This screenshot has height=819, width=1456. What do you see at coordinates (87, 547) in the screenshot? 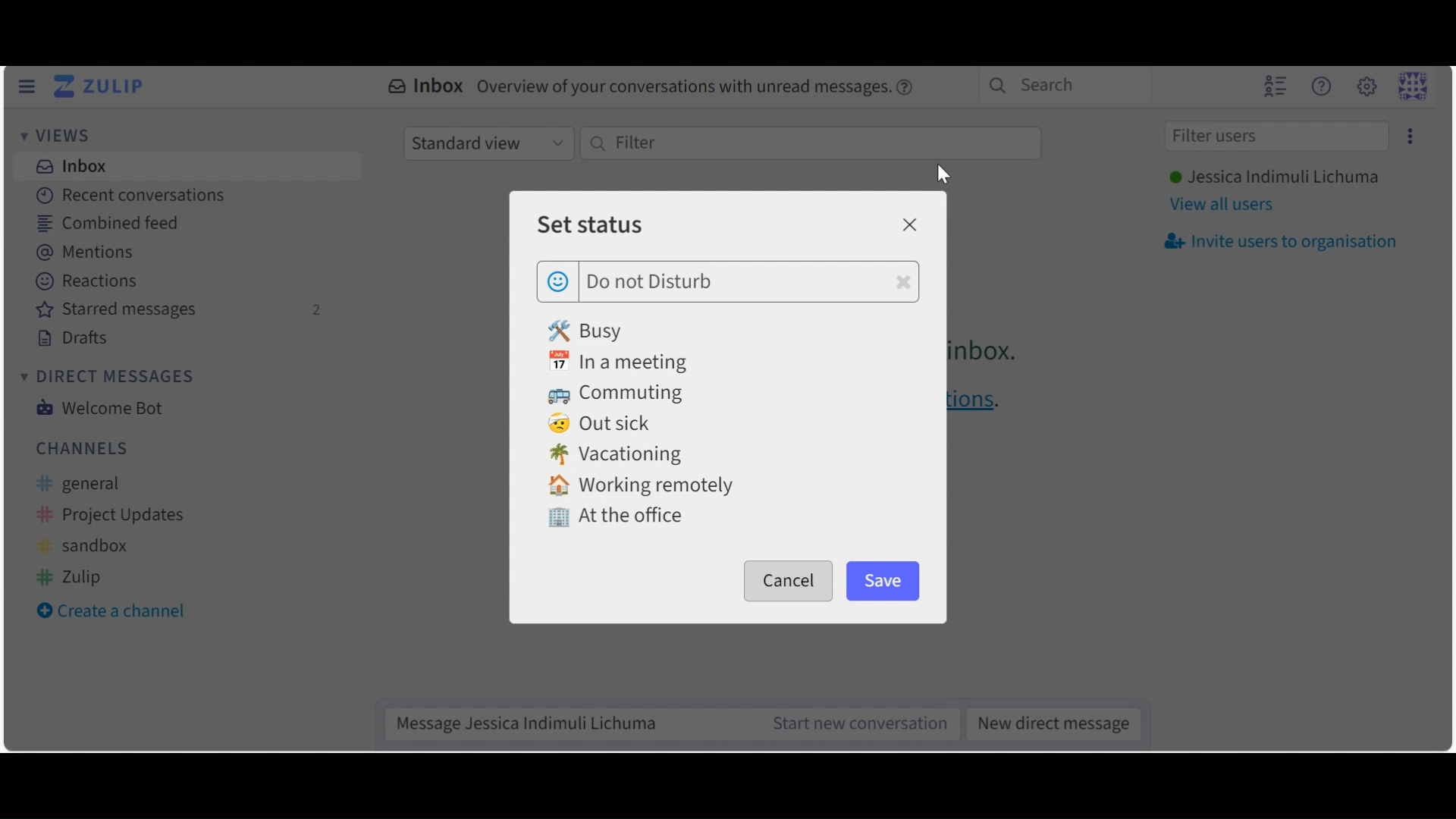
I see `sandbox` at bounding box center [87, 547].